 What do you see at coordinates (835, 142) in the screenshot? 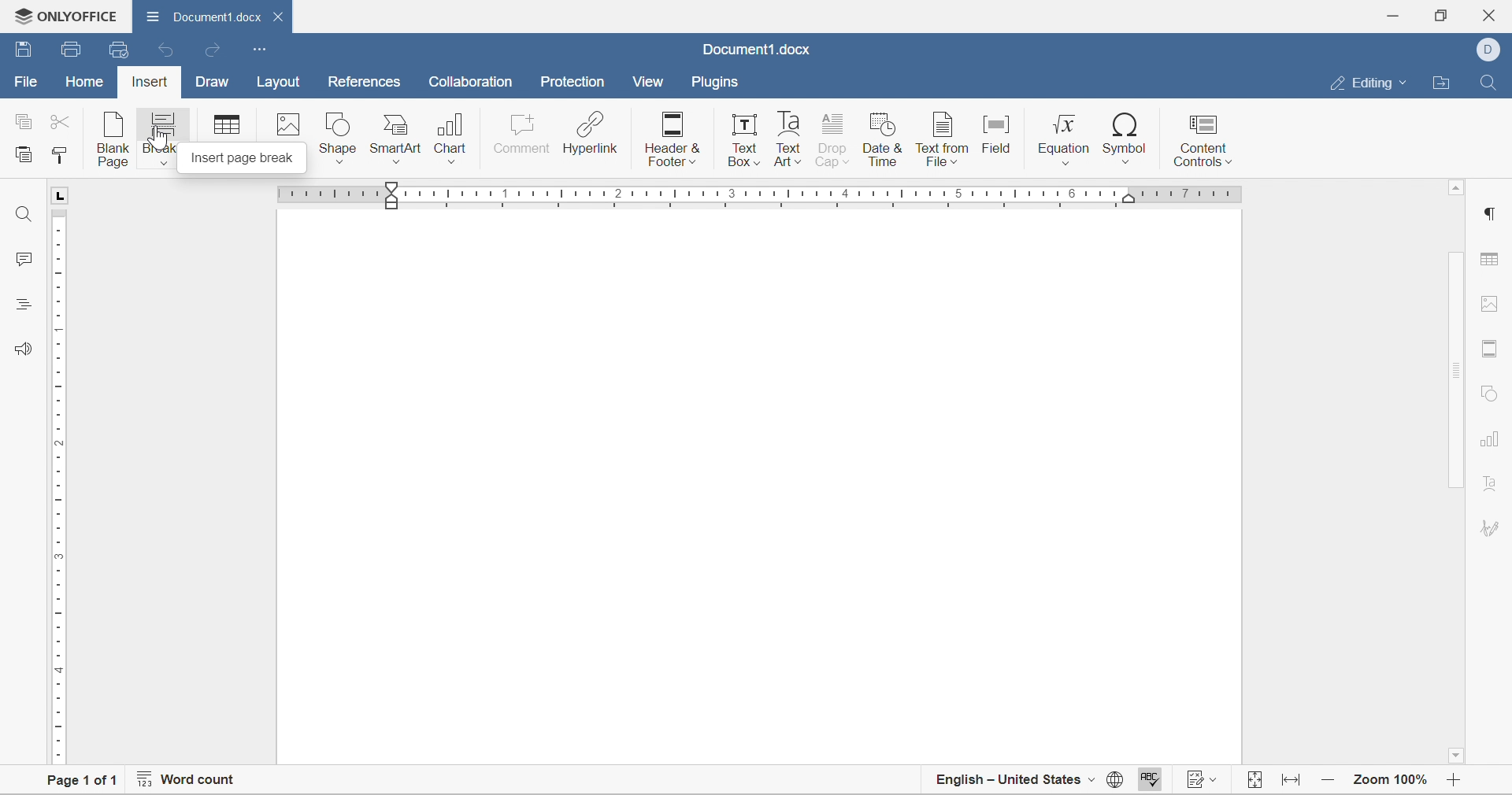
I see `Drop cap` at bounding box center [835, 142].